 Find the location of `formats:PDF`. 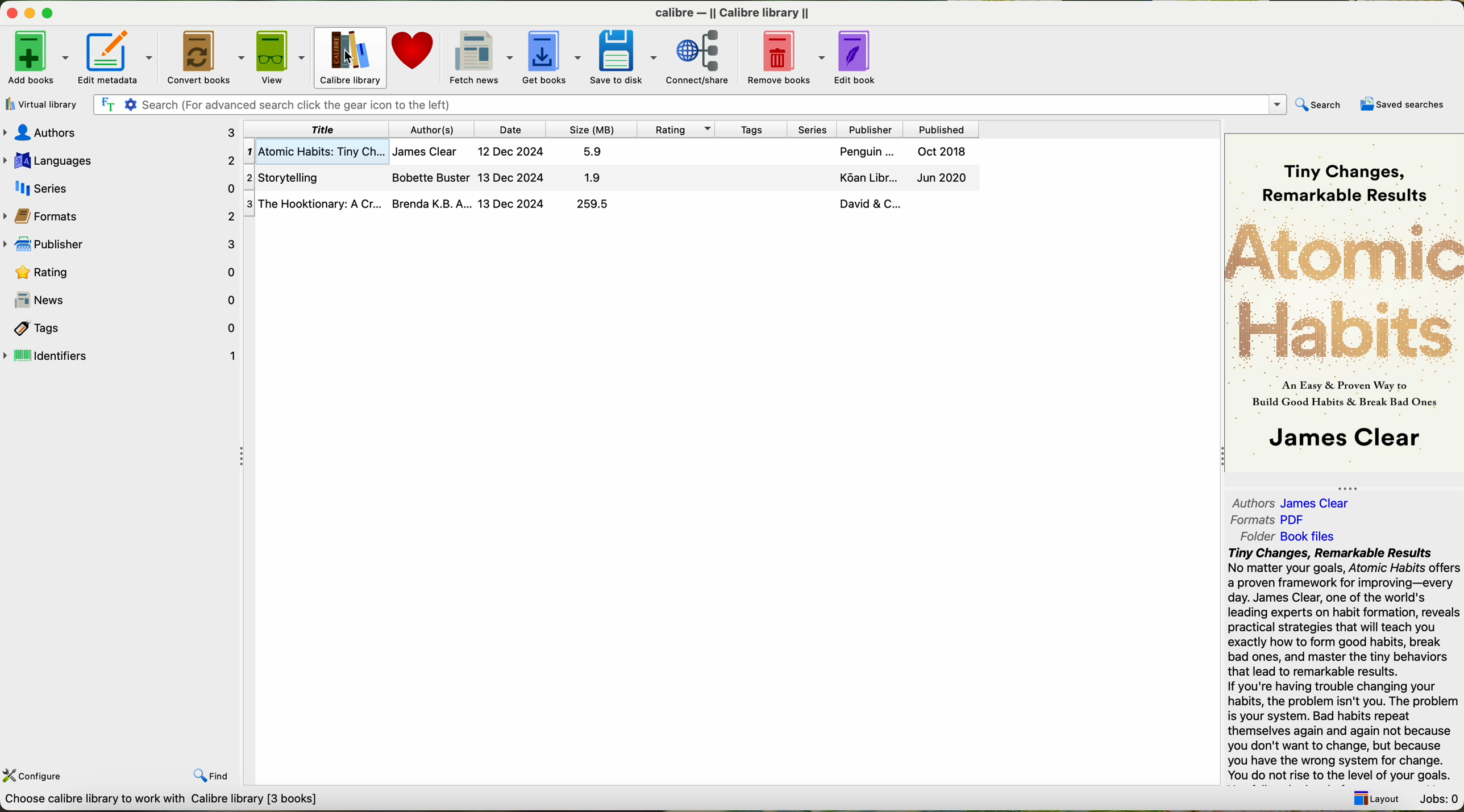

formats:PDF is located at coordinates (1272, 520).